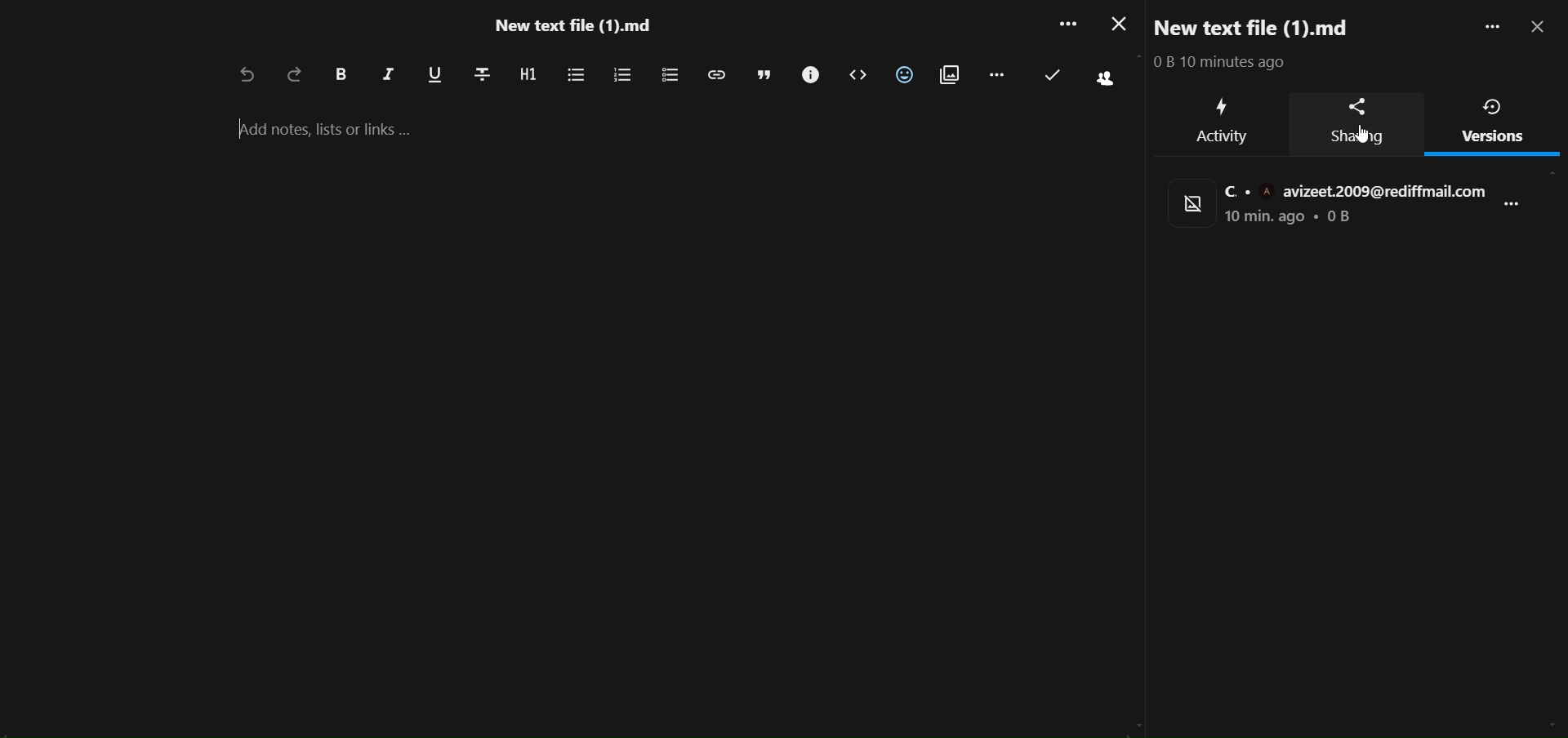 The height and width of the screenshot is (738, 1568). What do you see at coordinates (1357, 104) in the screenshot?
I see `sharing` at bounding box center [1357, 104].